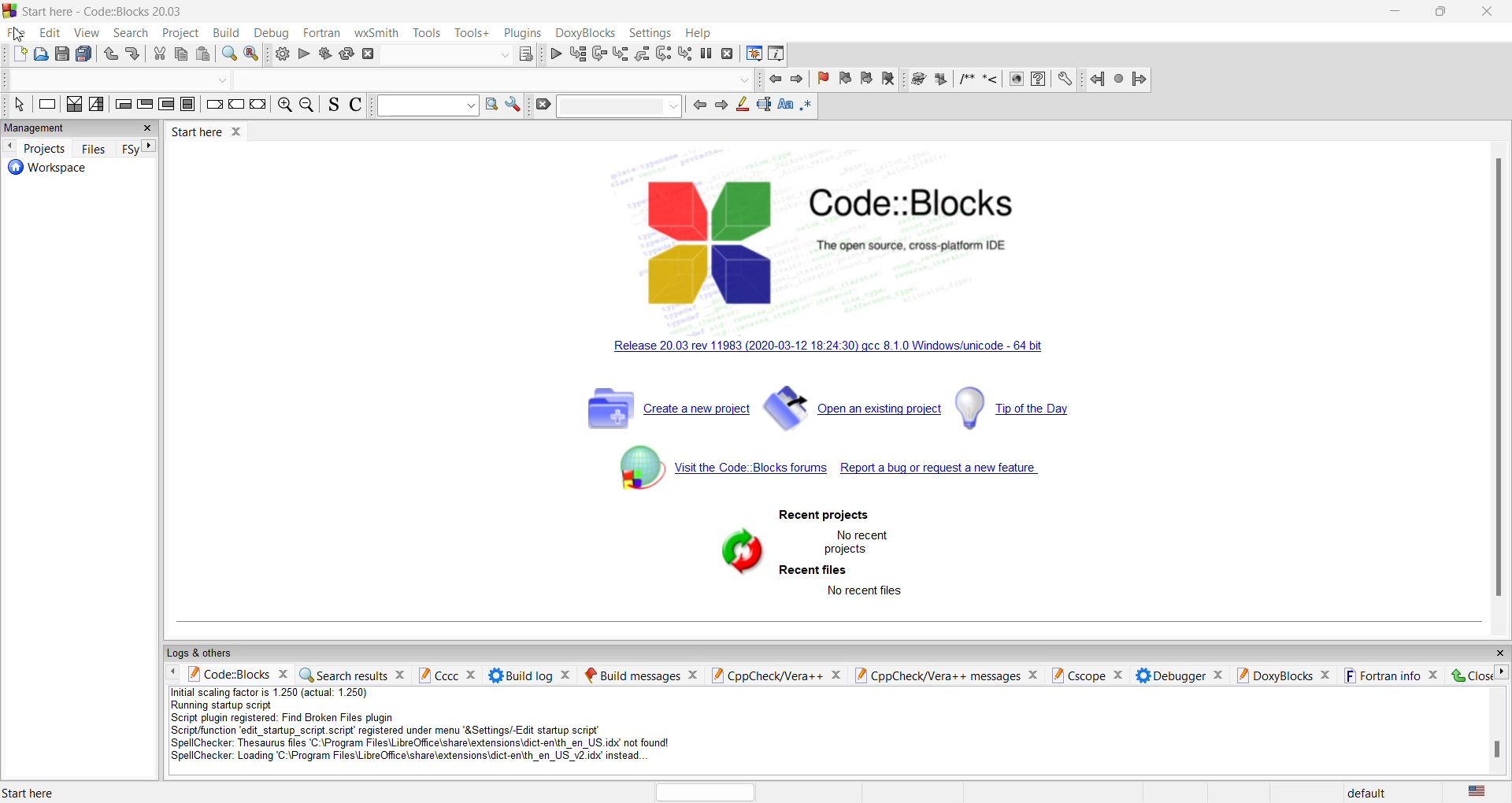 The image size is (1512, 803). I want to click on zoom in, so click(286, 105).